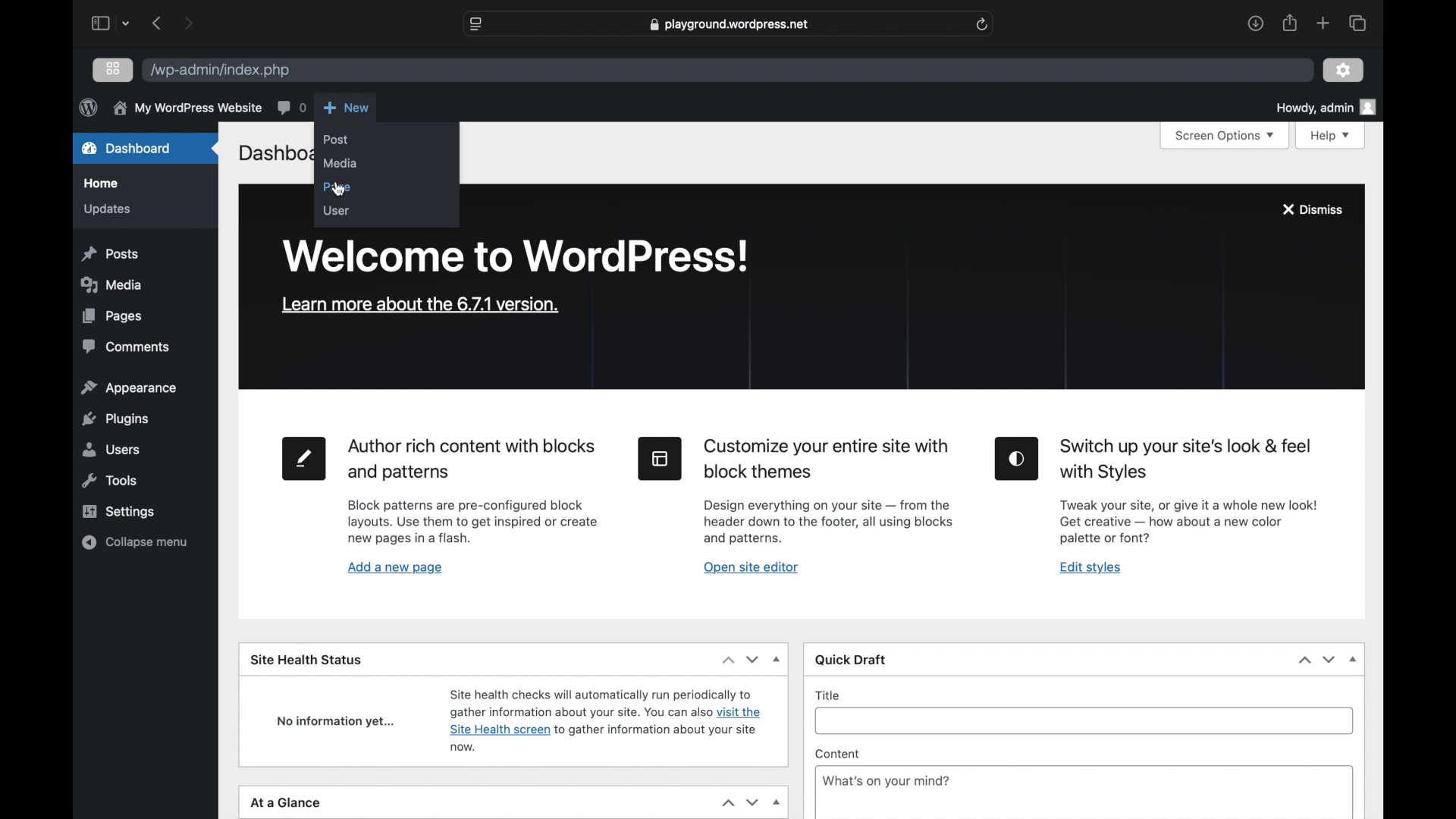 The image size is (1456, 819). Describe the element at coordinates (337, 140) in the screenshot. I see `post` at that location.